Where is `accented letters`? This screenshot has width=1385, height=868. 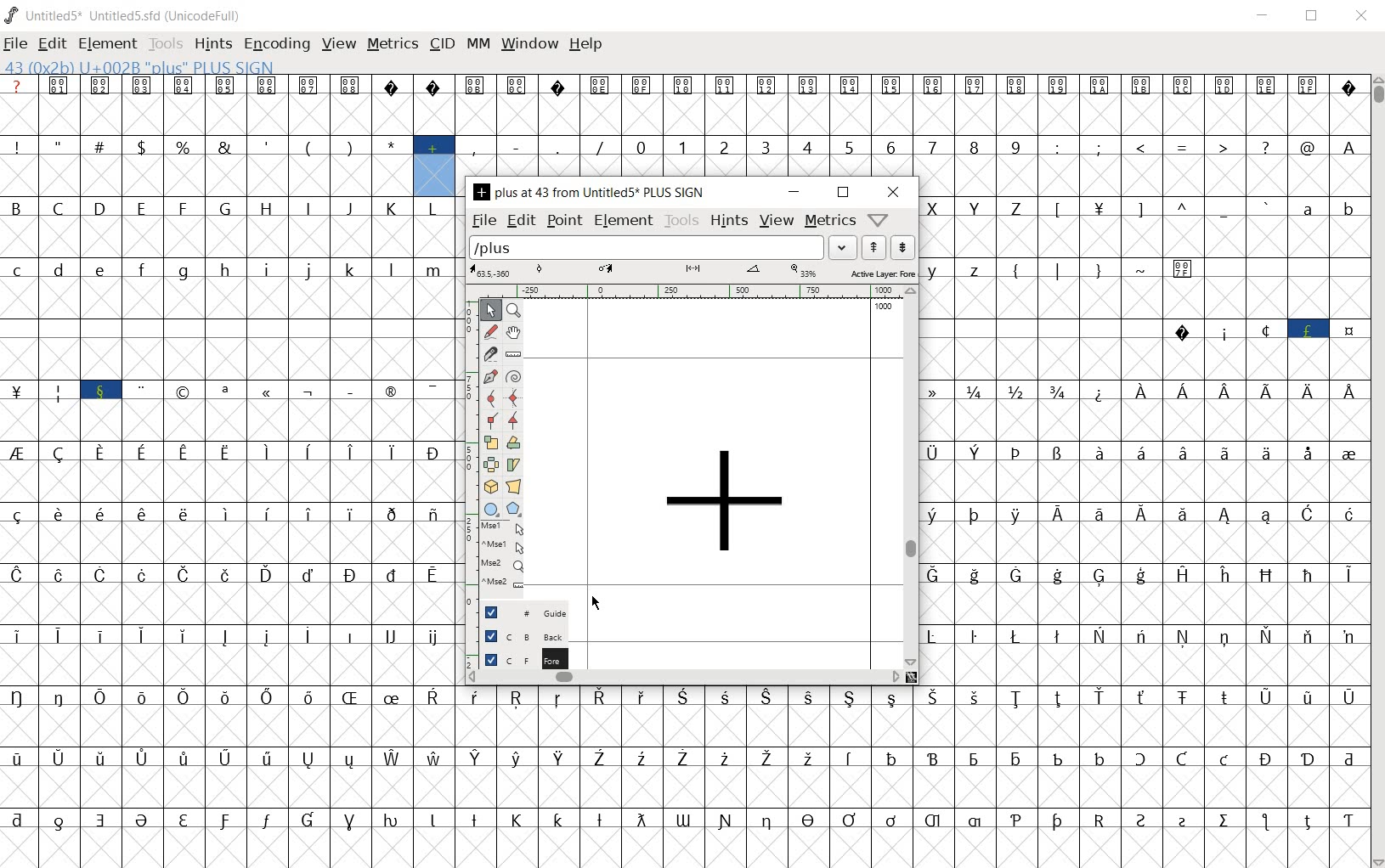
accented letters is located at coordinates (247, 593).